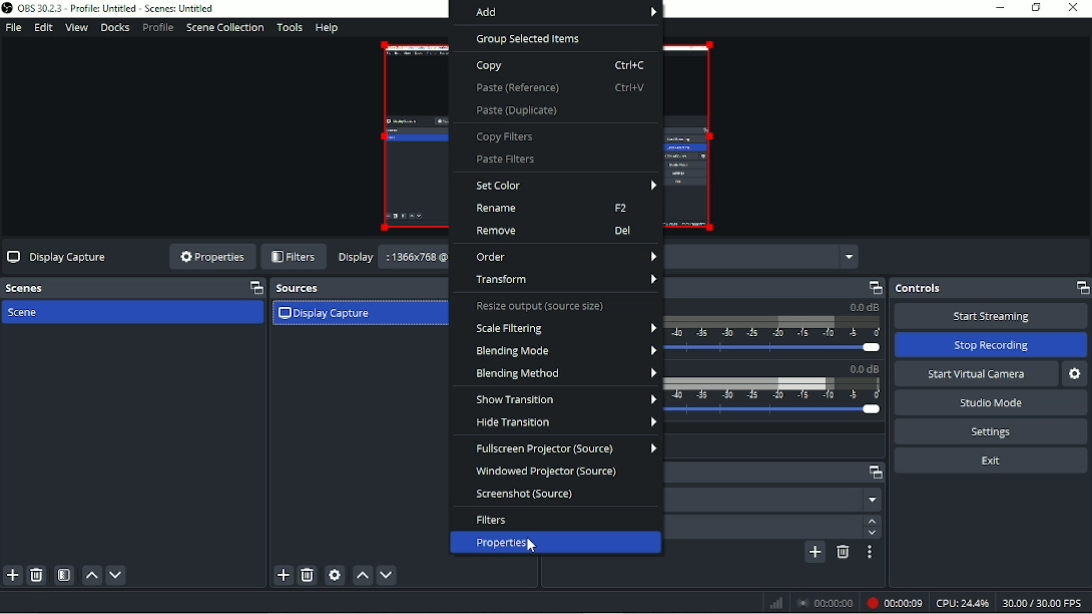 This screenshot has width=1092, height=614. I want to click on 30.00/30.00 FPS, so click(1045, 603).